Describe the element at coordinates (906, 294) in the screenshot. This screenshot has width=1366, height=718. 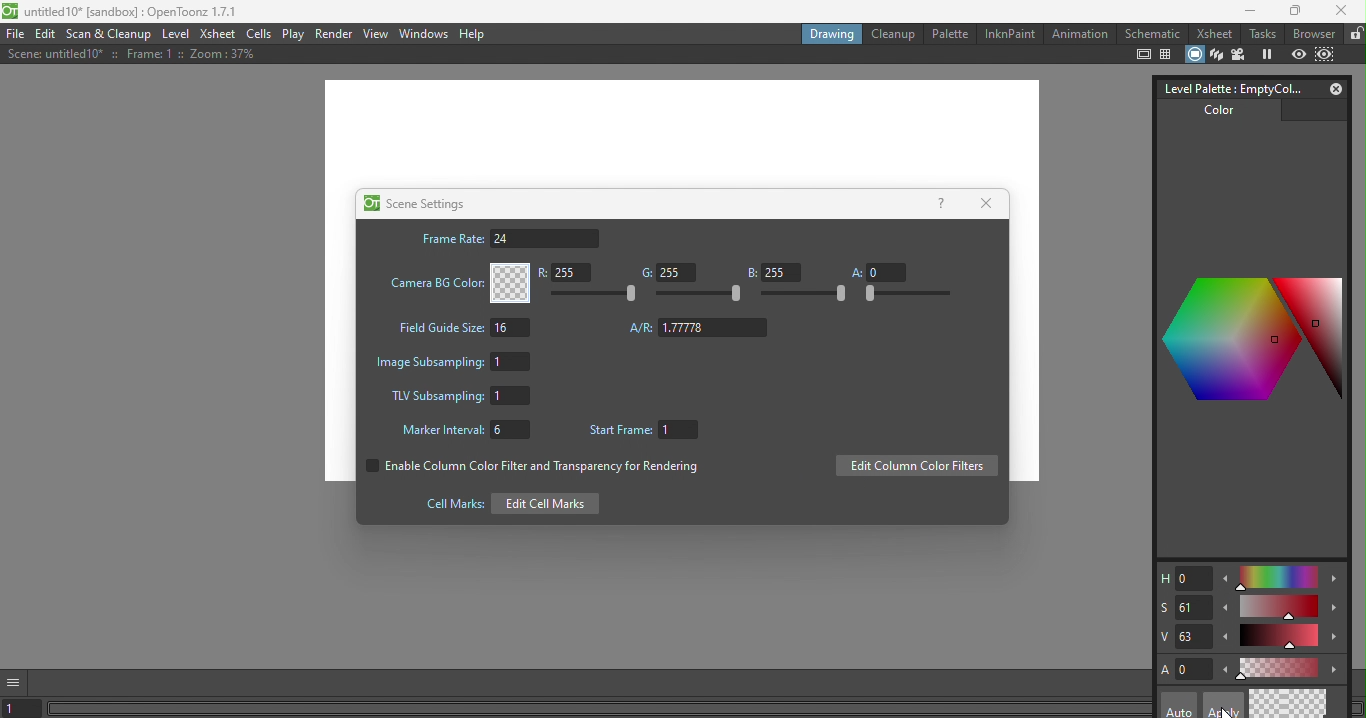
I see `Slide bar` at that location.